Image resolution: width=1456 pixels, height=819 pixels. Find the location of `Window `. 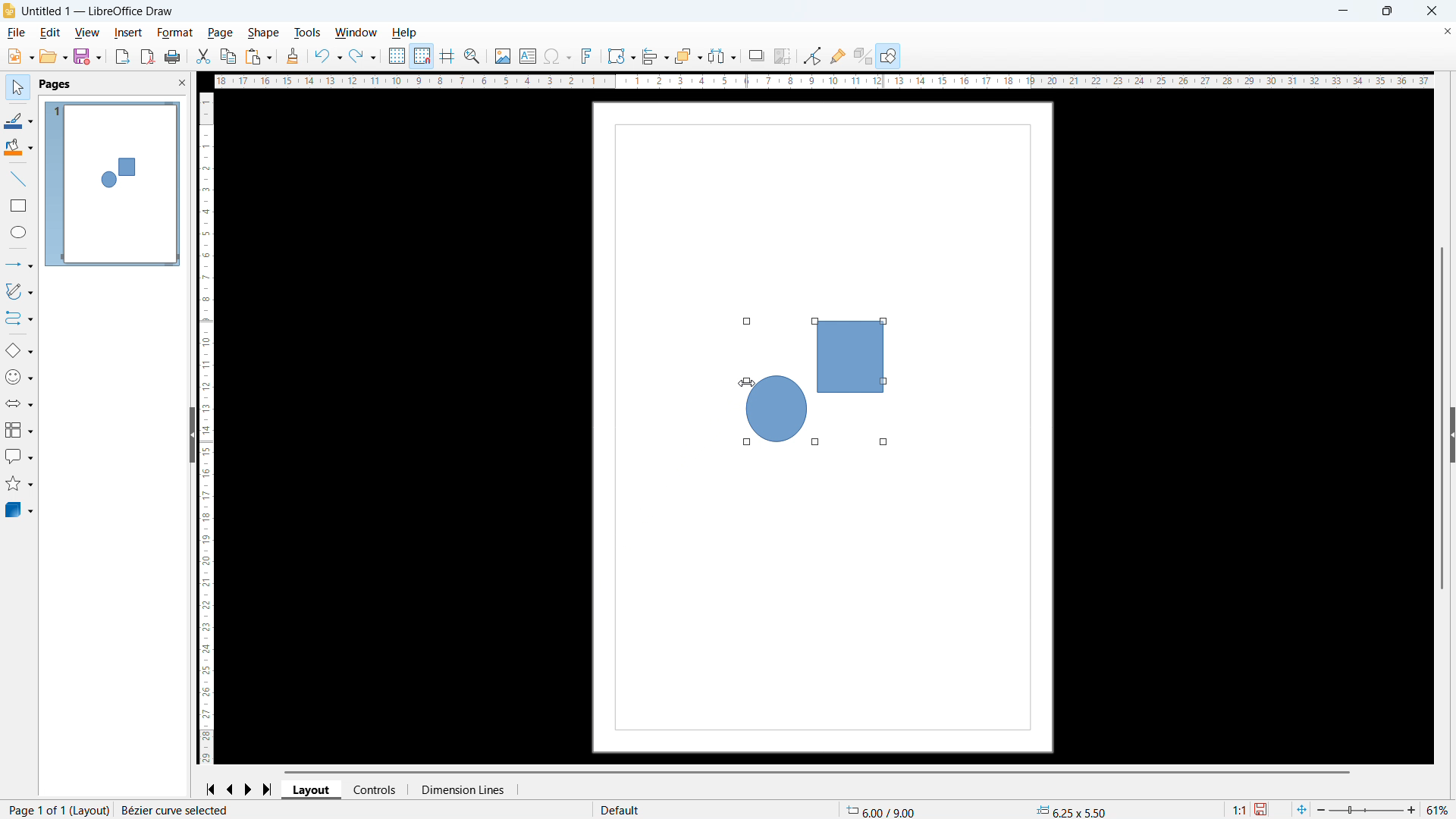

Window  is located at coordinates (355, 33).